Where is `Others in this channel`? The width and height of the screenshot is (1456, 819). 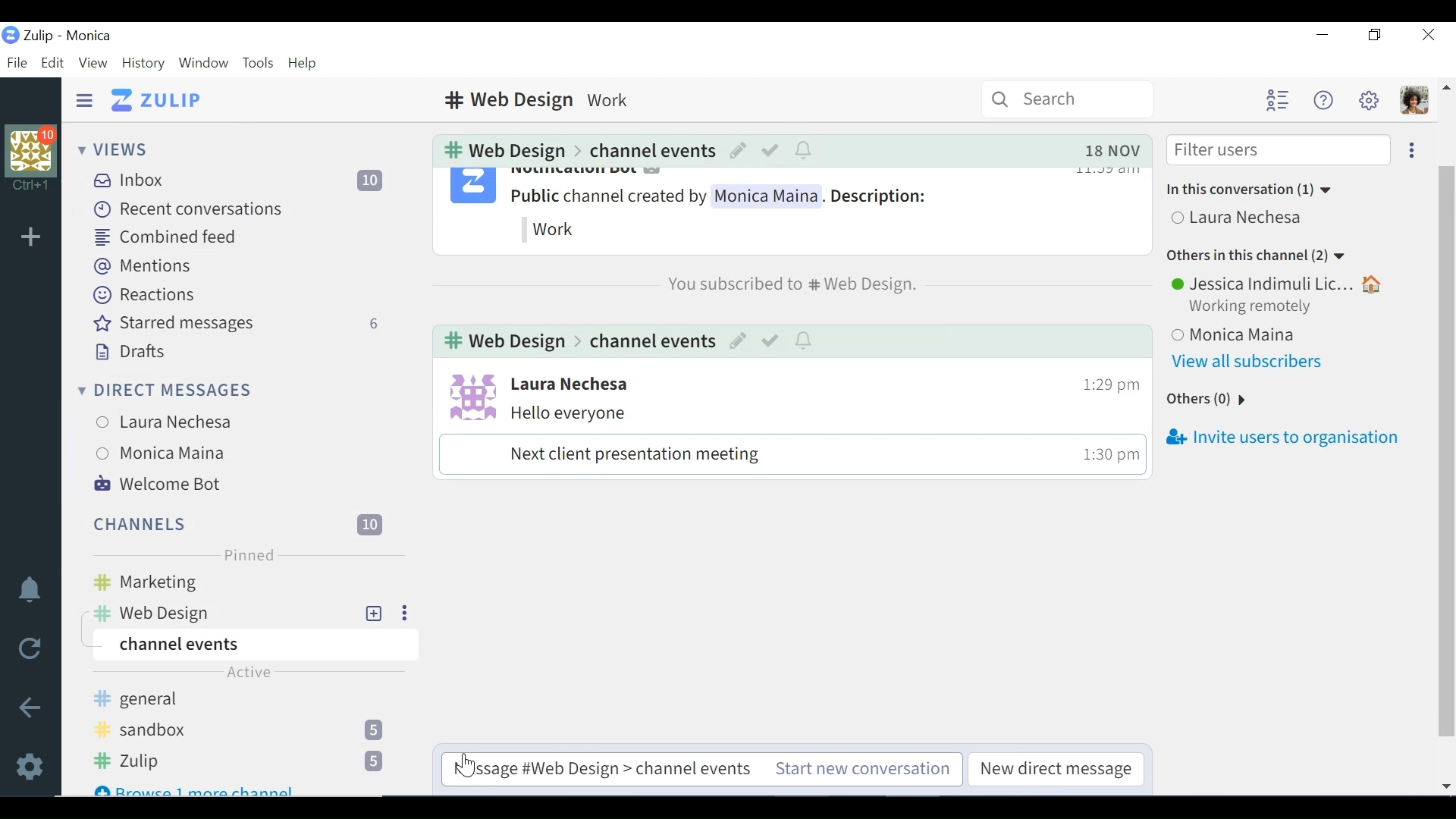
Others in this channel is located at coordinates (1257, 257).